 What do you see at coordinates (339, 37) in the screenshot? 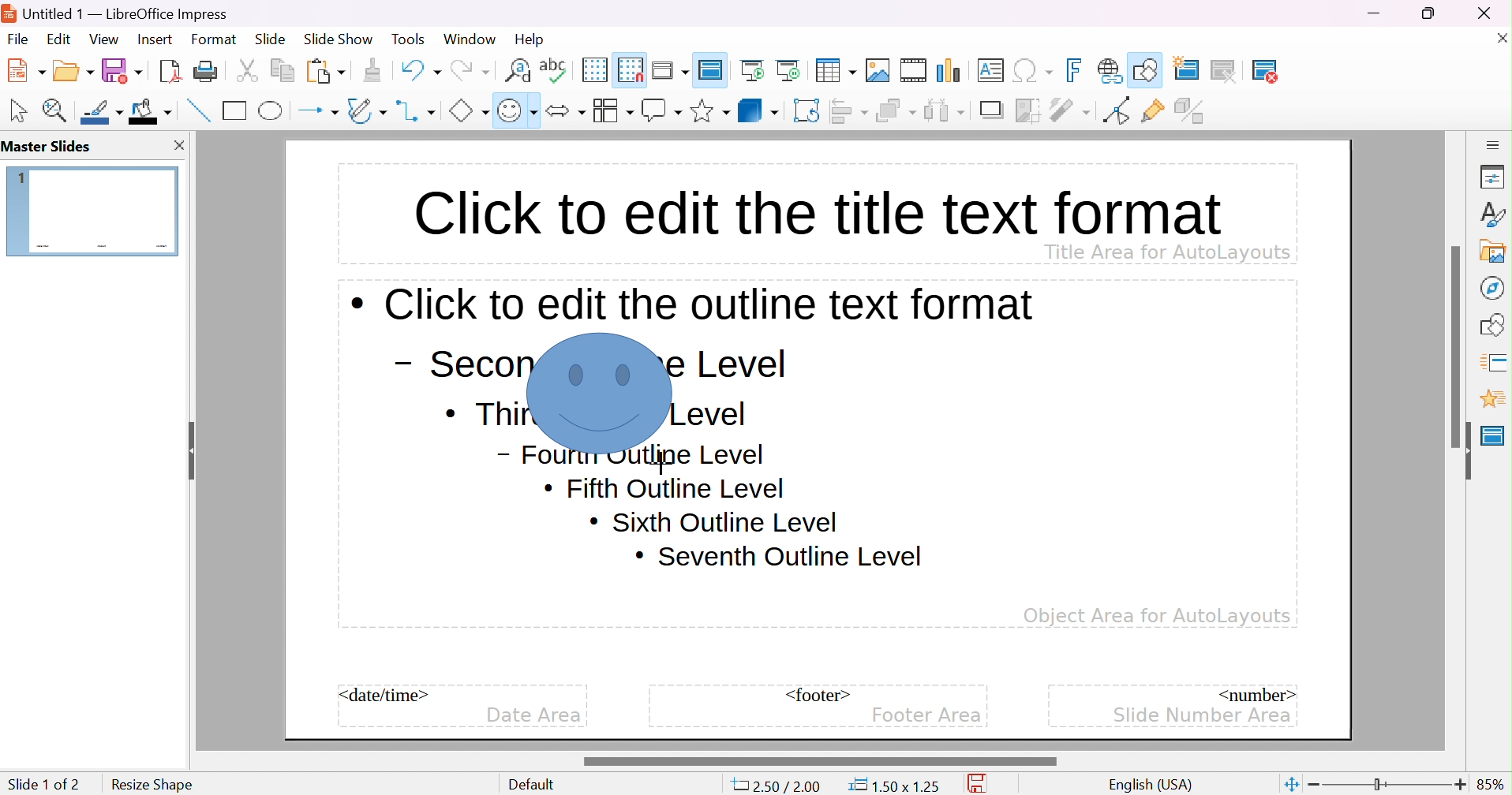
I see `slide show` at bounding box center [339, 37].